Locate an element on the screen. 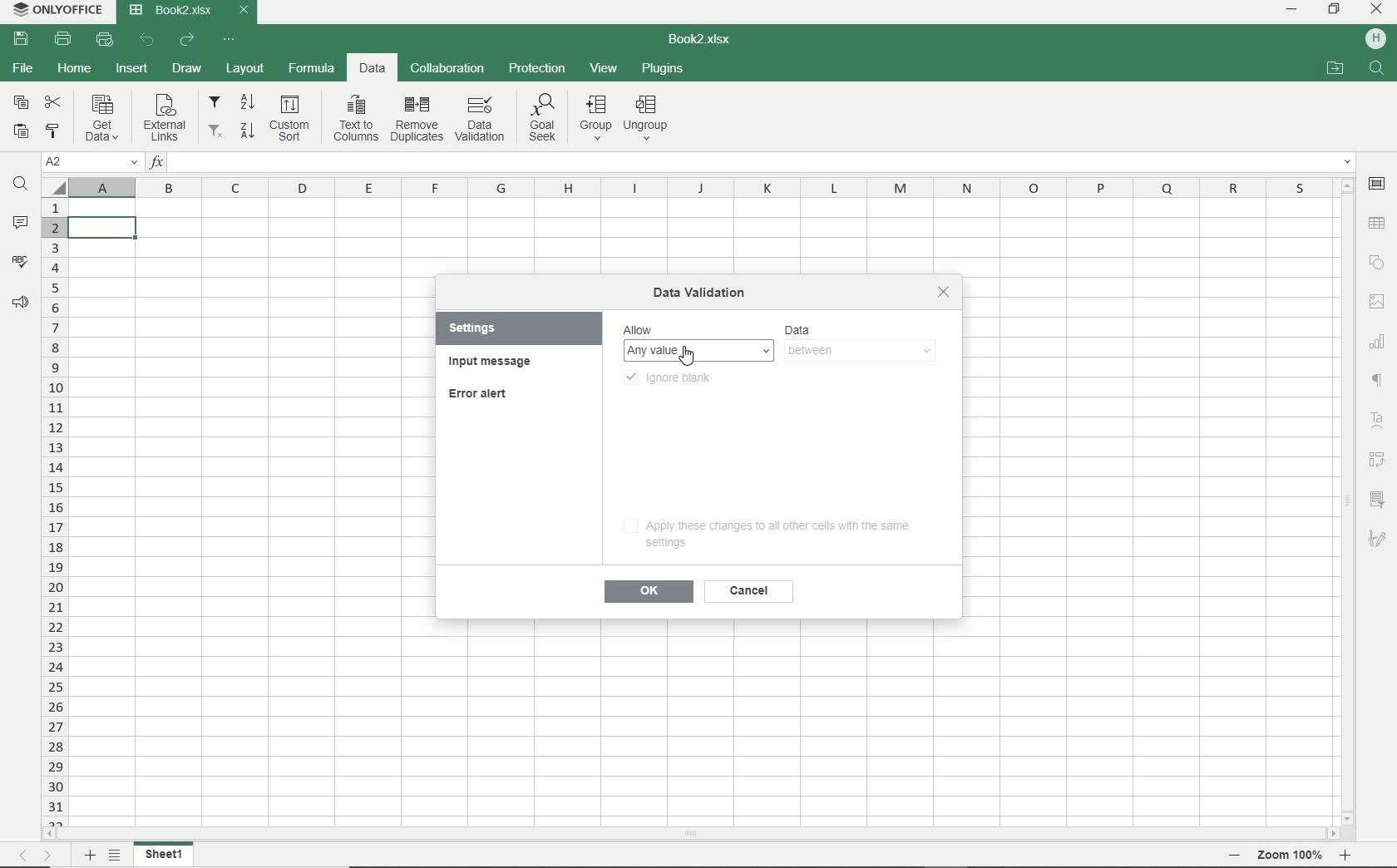 This screenshot has height=868, width=1397. SIGNATURE is located at coordinates (1376, 538).